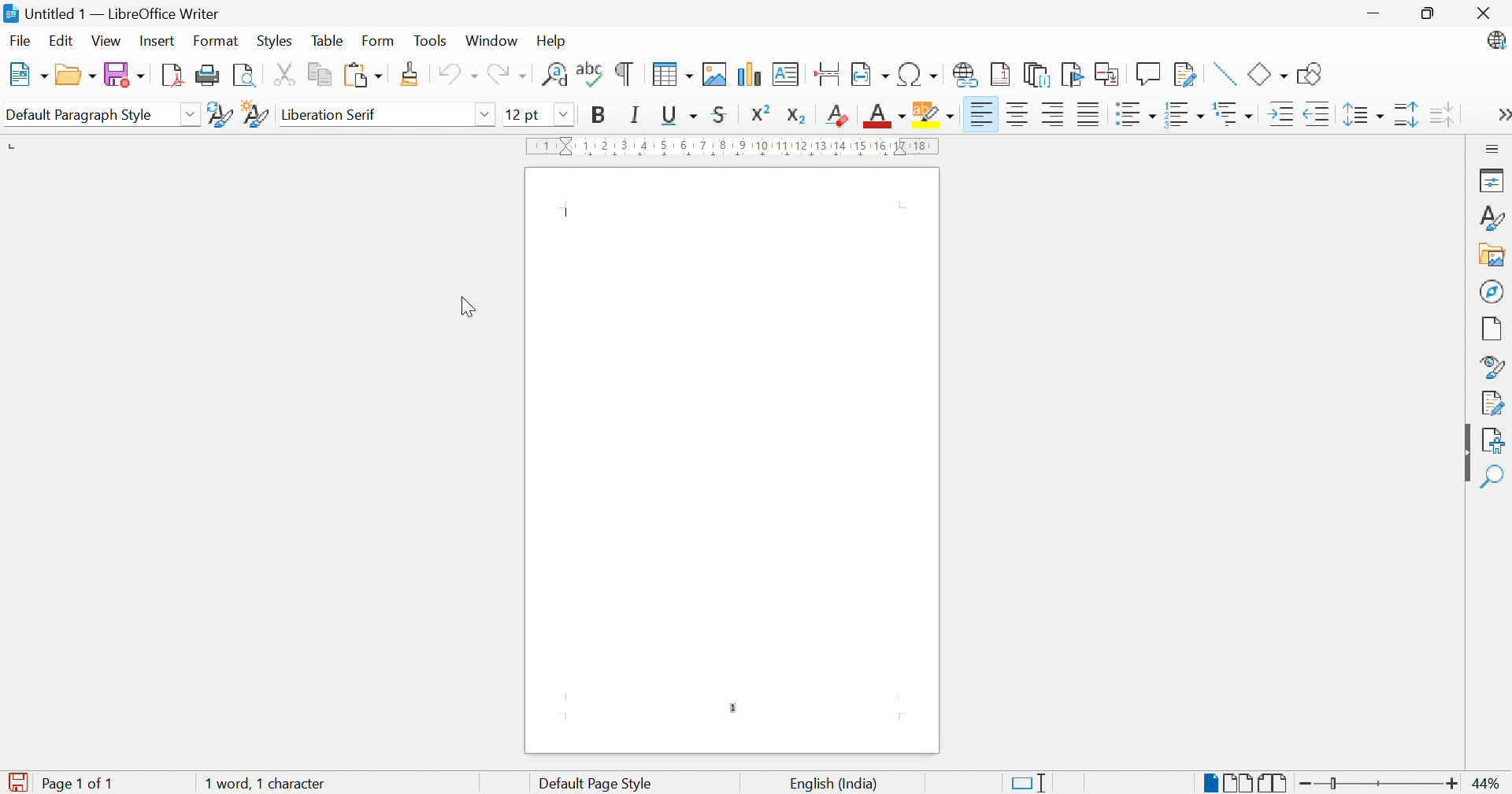  I want to click on Find and replace, so click(552, 76).